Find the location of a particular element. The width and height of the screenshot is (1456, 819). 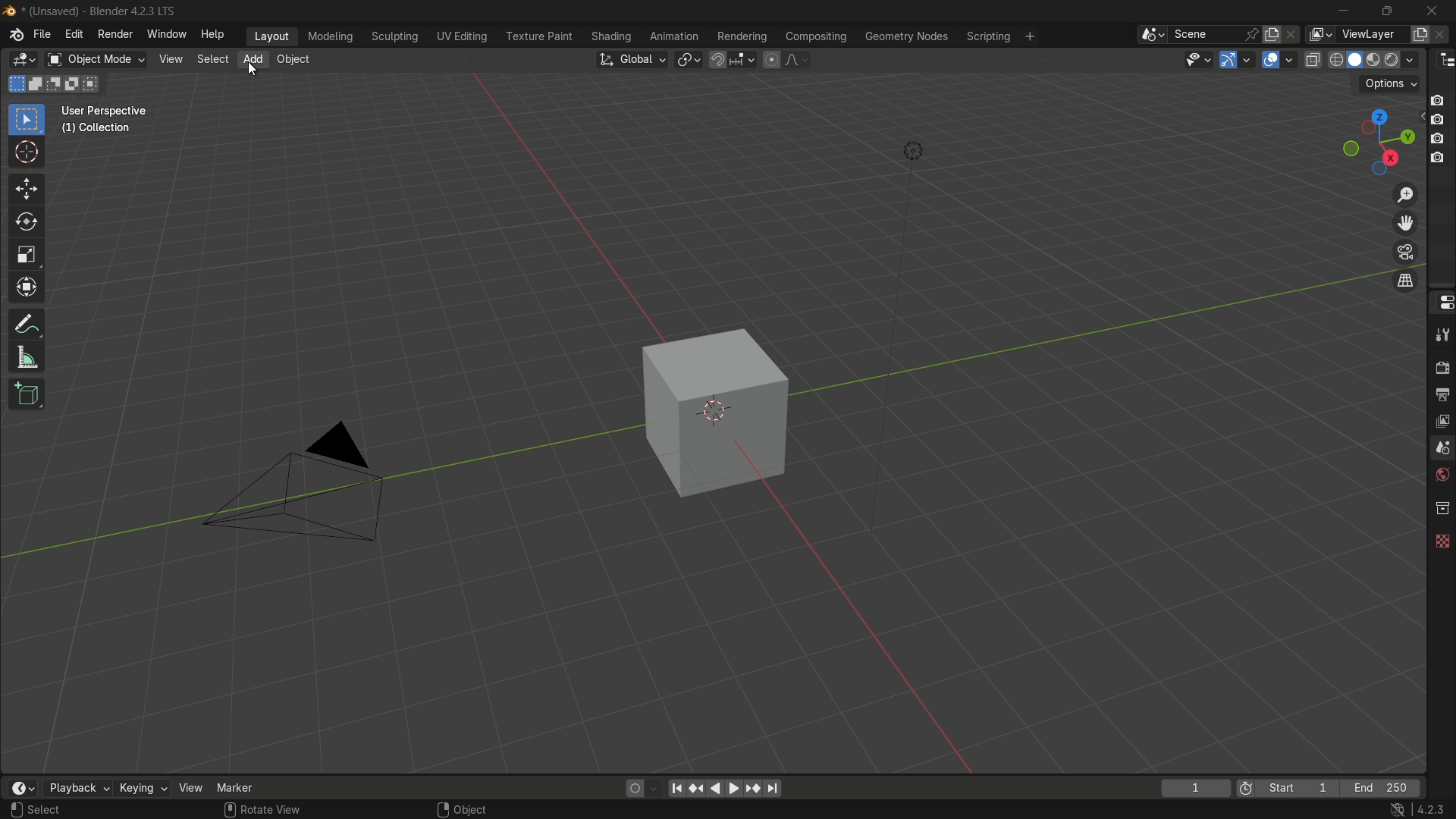

extend existing selection is located at coordinates (36, 85).